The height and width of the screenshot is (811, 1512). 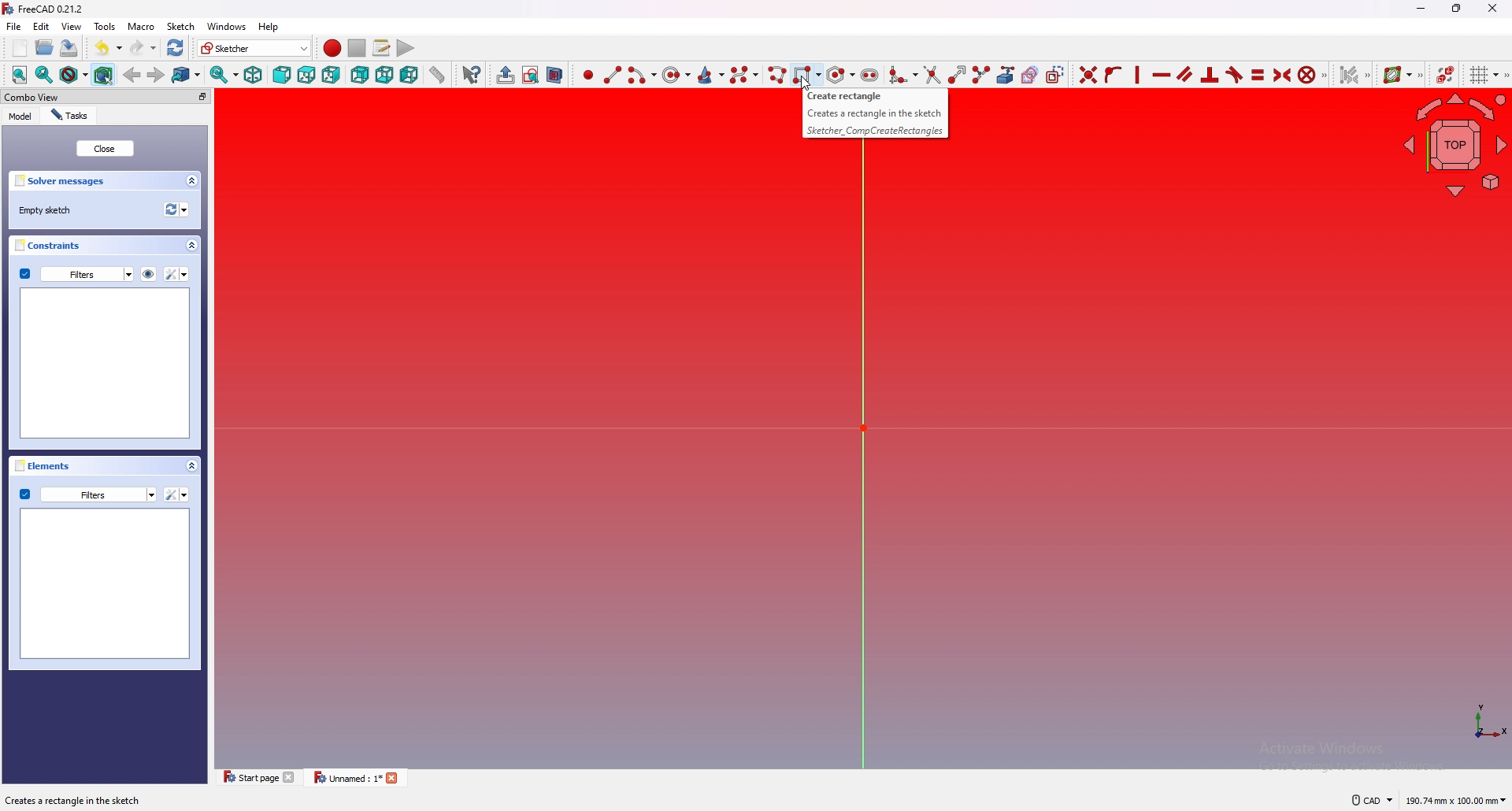 What do you see at coordinates (226, 26) in the screenshot?
I see `windows` at bounding box center [226, 26].